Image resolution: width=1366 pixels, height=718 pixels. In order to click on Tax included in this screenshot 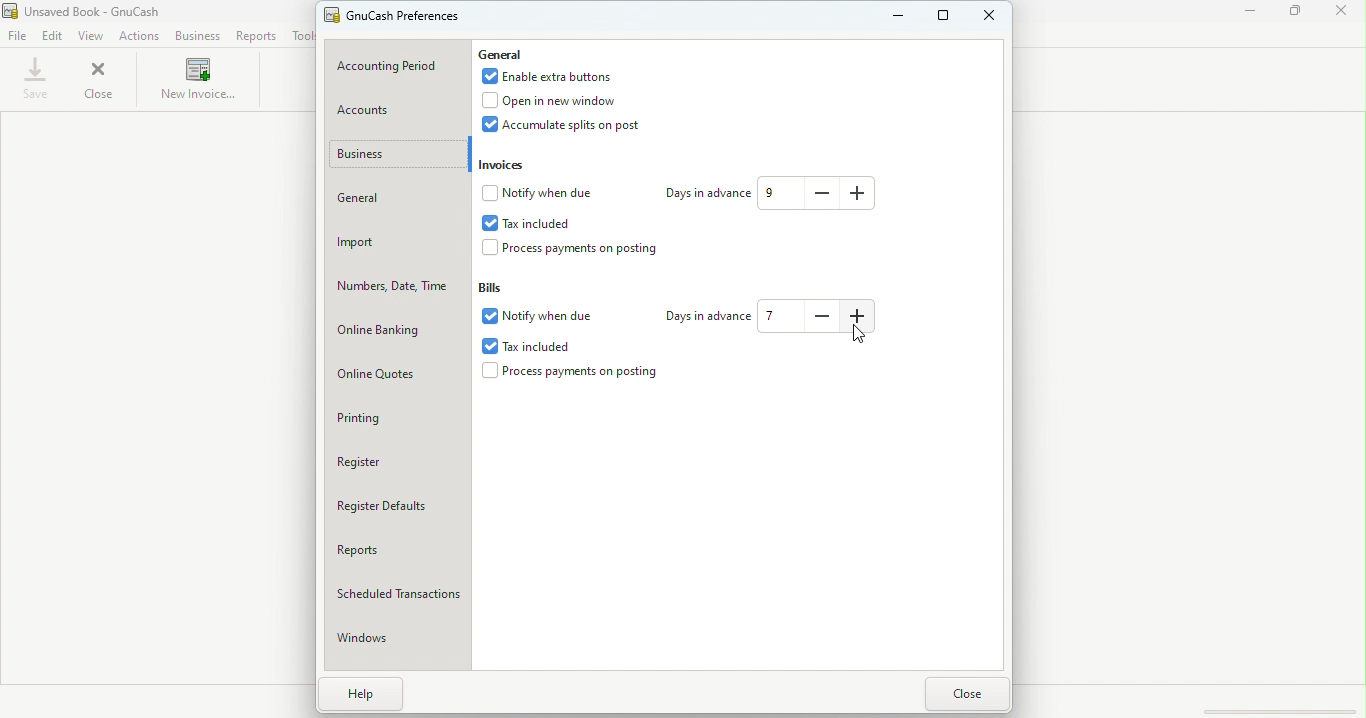, I will do `click(531, 346)`.